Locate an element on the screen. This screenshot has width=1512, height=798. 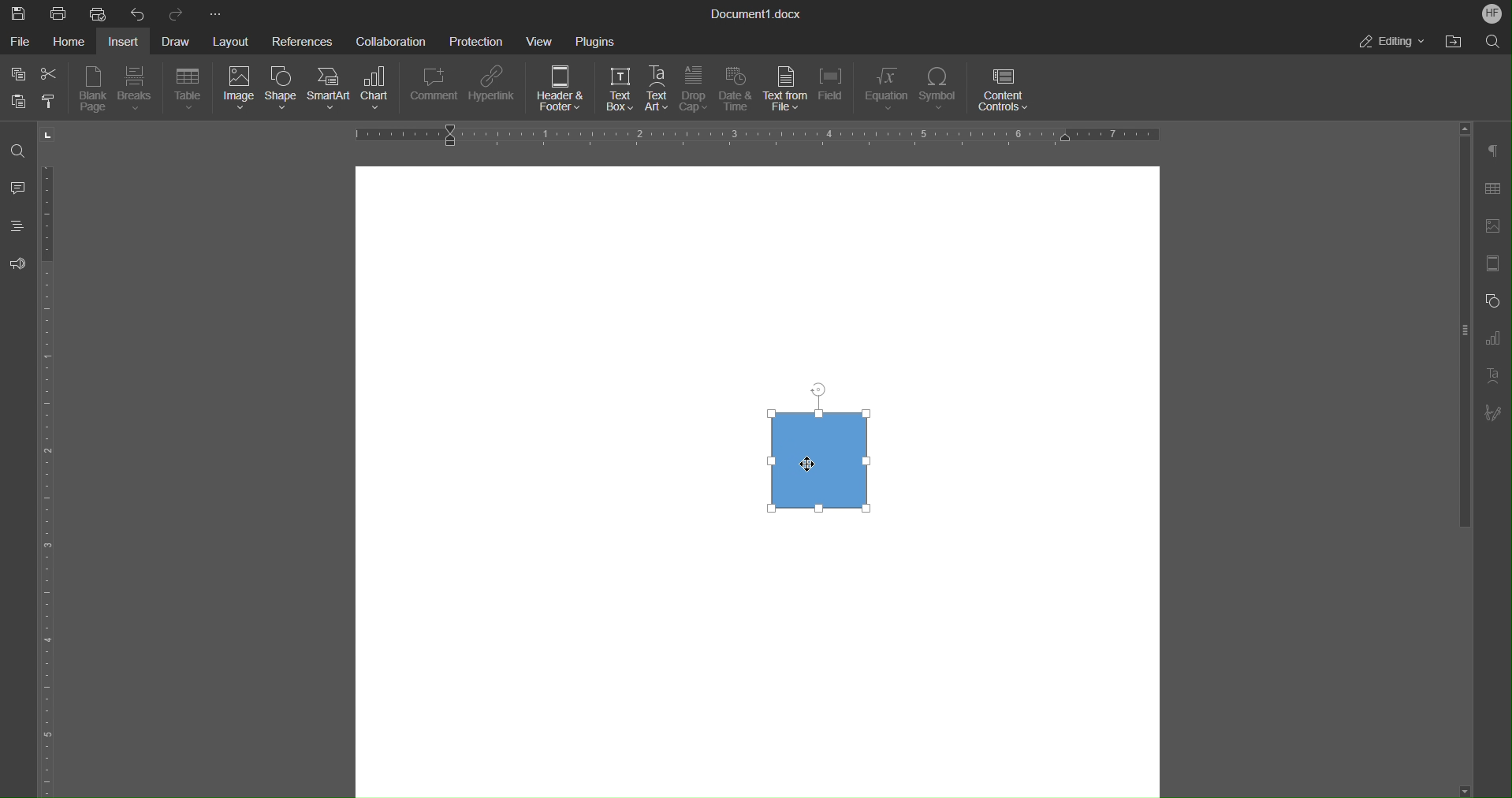
Shape is located at coordinates (816, 454).